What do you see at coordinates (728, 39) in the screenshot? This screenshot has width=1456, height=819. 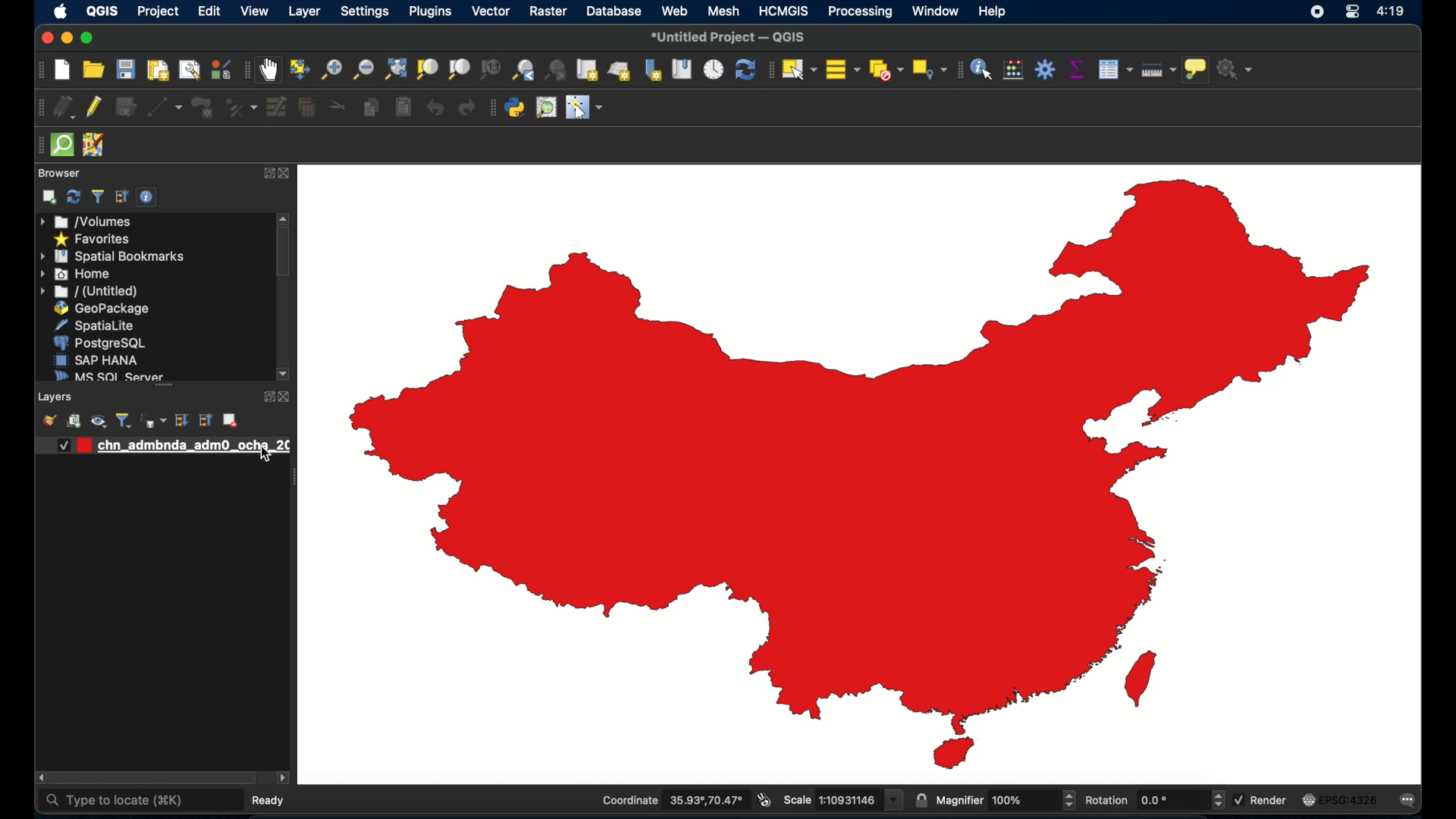 I see `*untitled project - QGIS` at bounding box center [728, 39].